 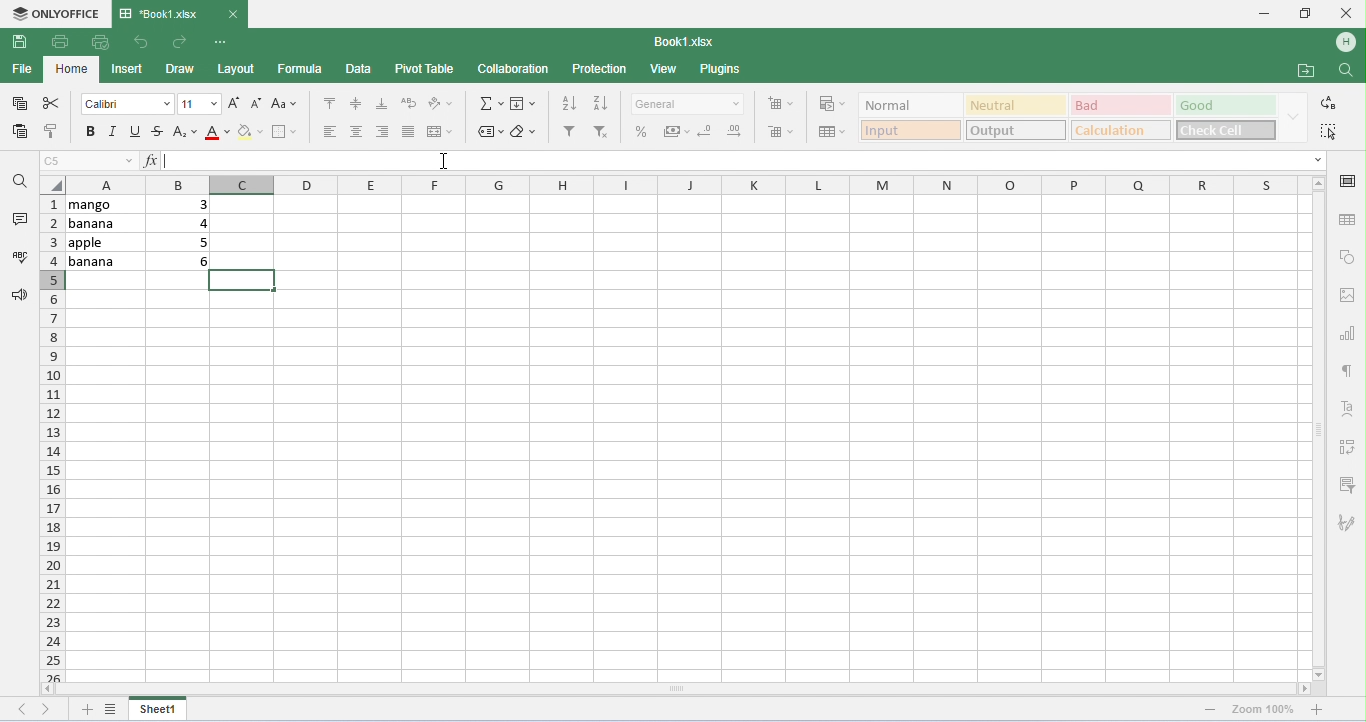 I want to click on cell settings, so click(x=1347, y=180).